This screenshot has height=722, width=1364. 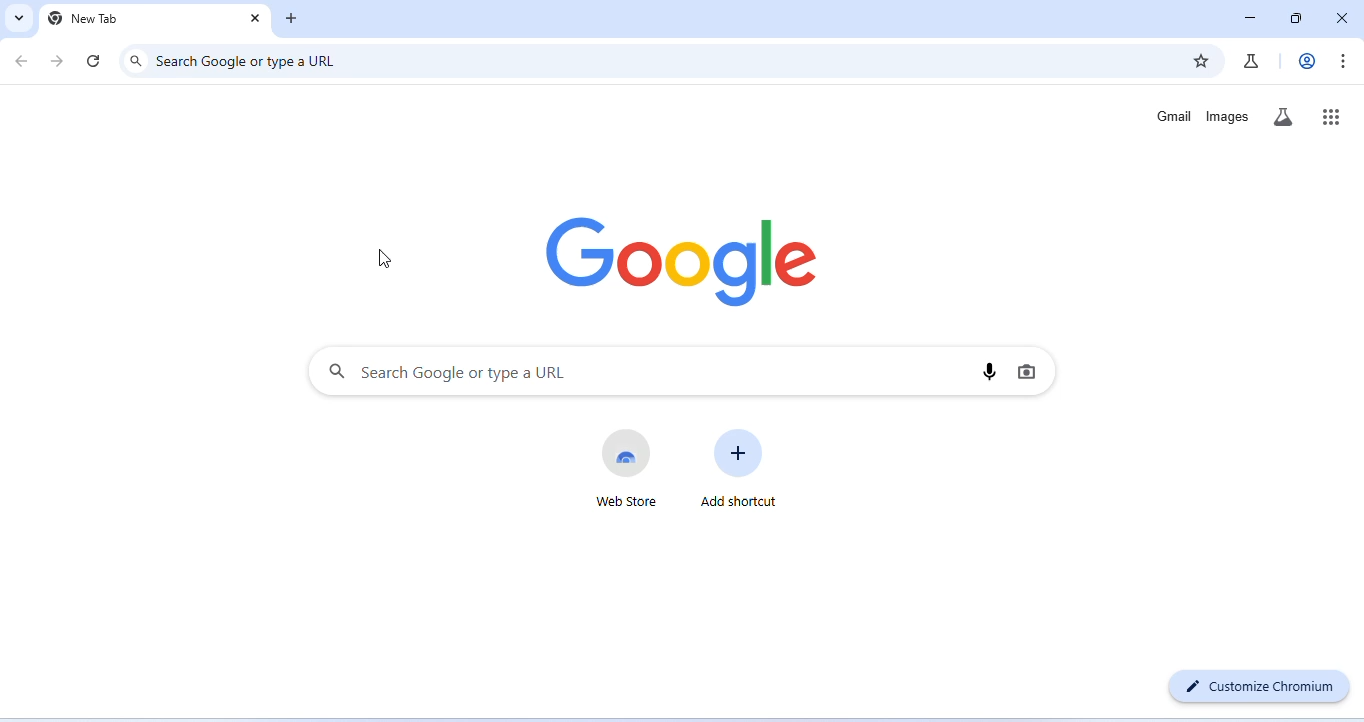 I want to click on refresh, so click(x=95, y=60).